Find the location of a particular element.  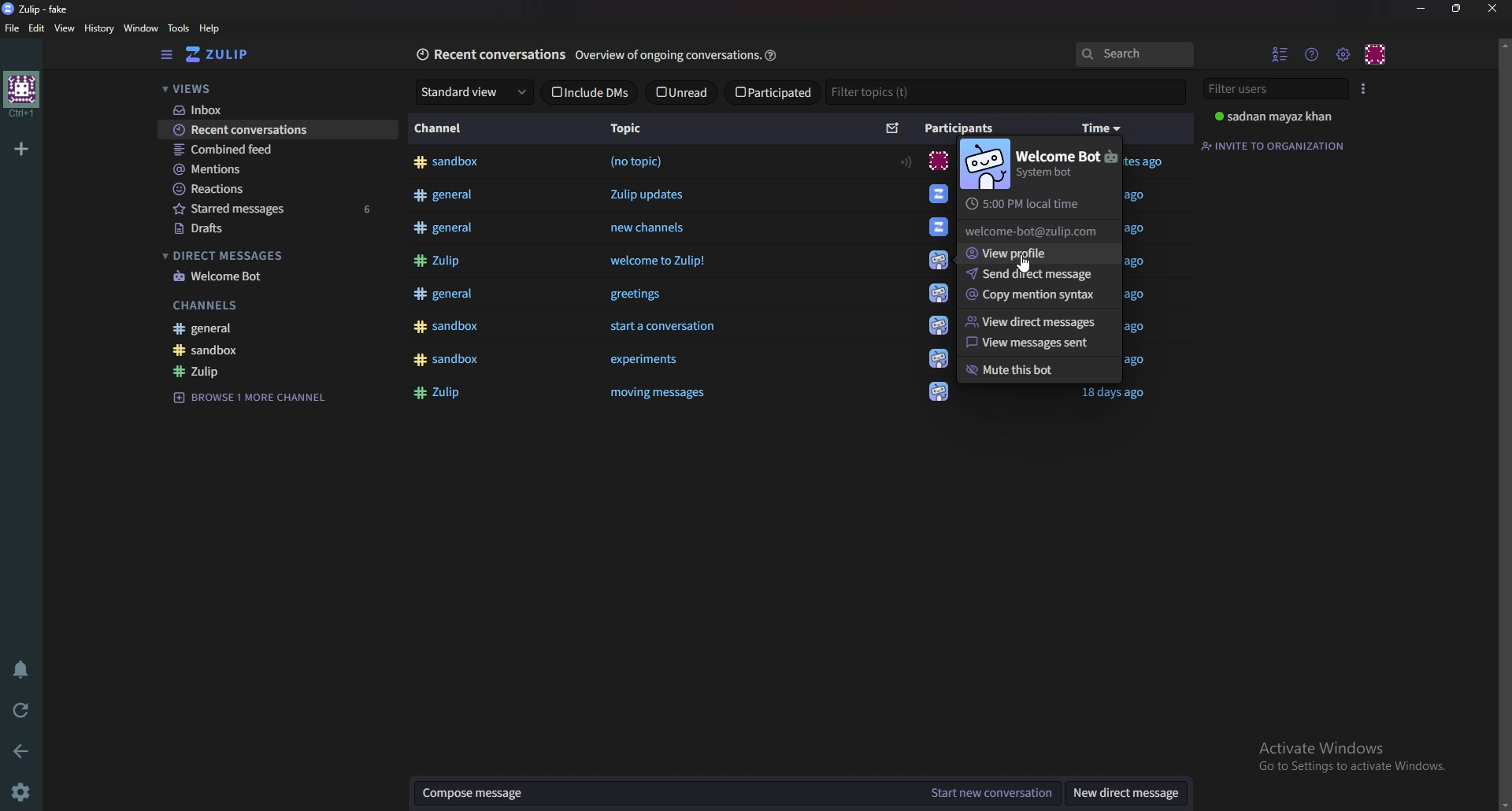

cursor is located at coordinates (1024, 261).